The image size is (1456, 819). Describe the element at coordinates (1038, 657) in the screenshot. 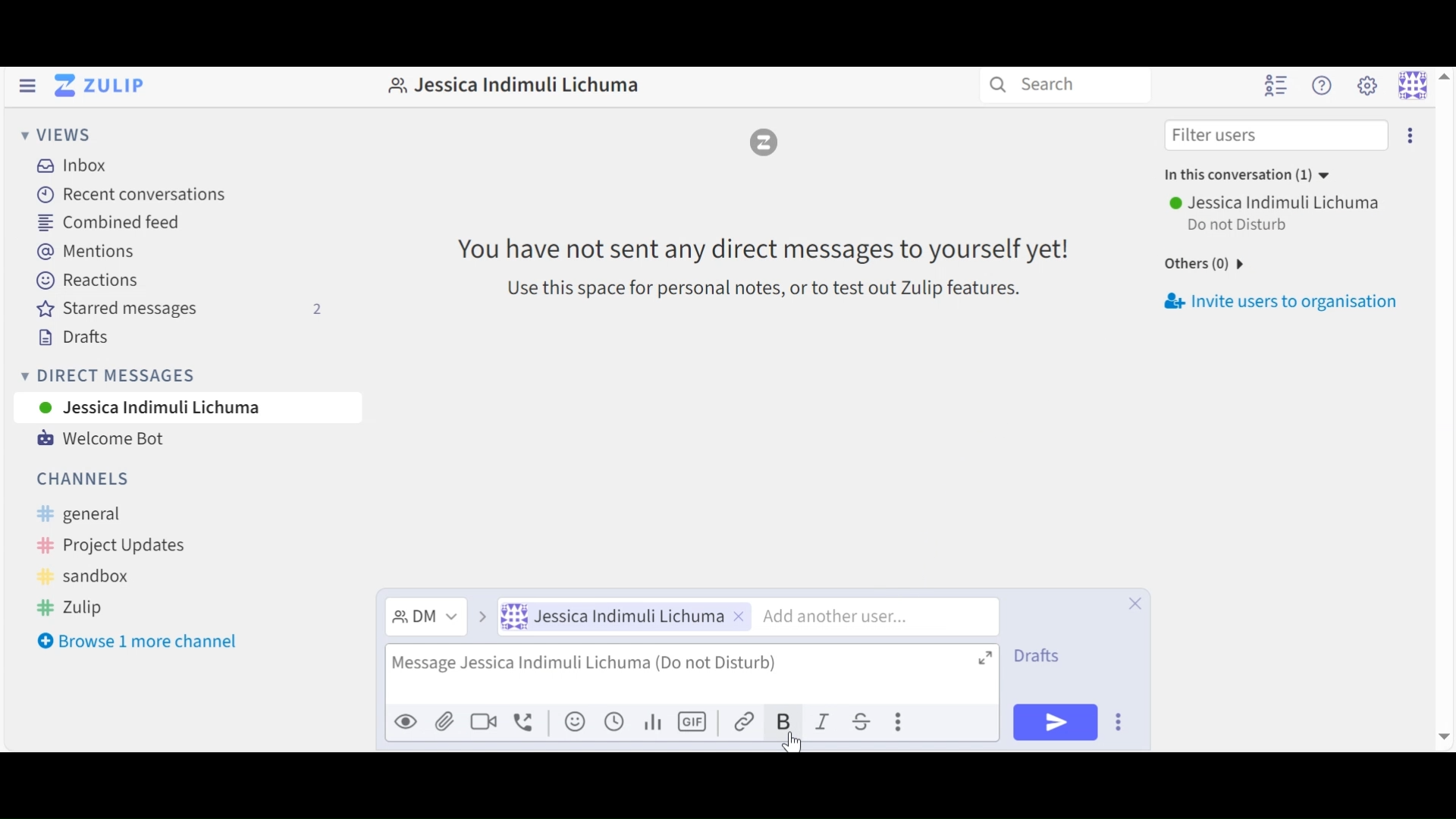

I see `Drafts` at that location.